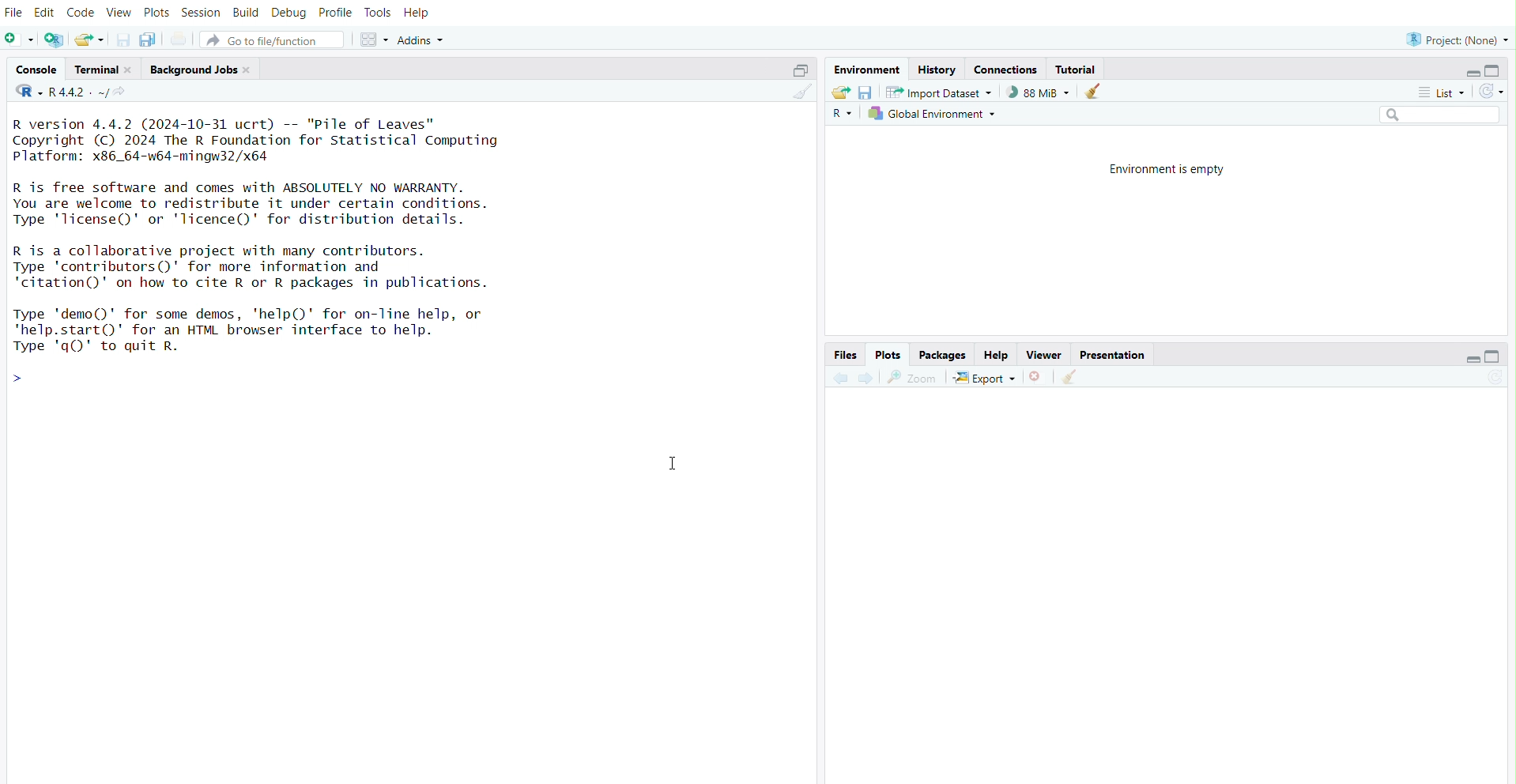 The image size is (1516, 784). I want to click on prompt cursor, so click(16, 378).